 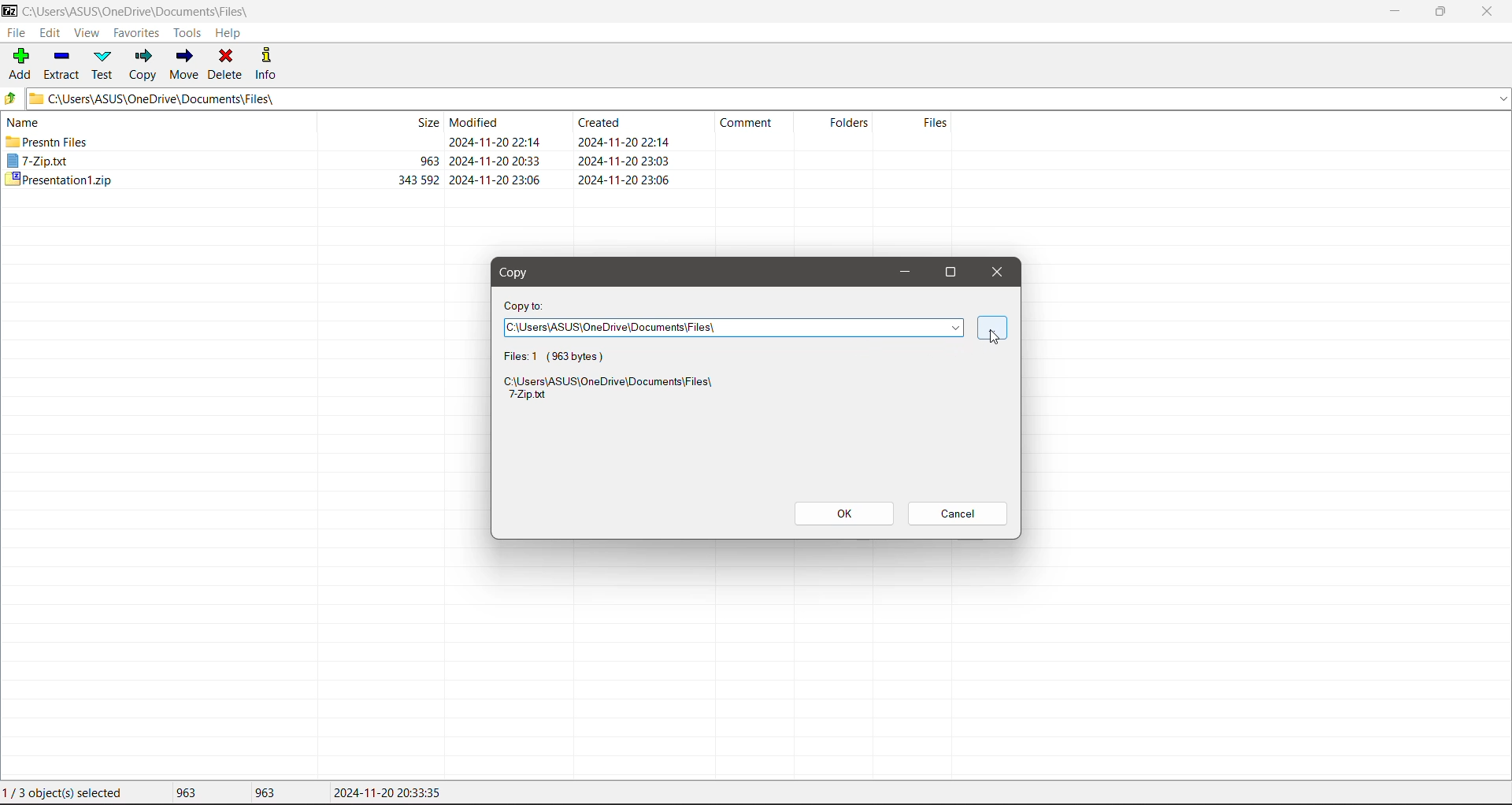 What do you see at coordinates (18, 65) in the screenshot?
I see `Add` at bounding box center [18, 65].